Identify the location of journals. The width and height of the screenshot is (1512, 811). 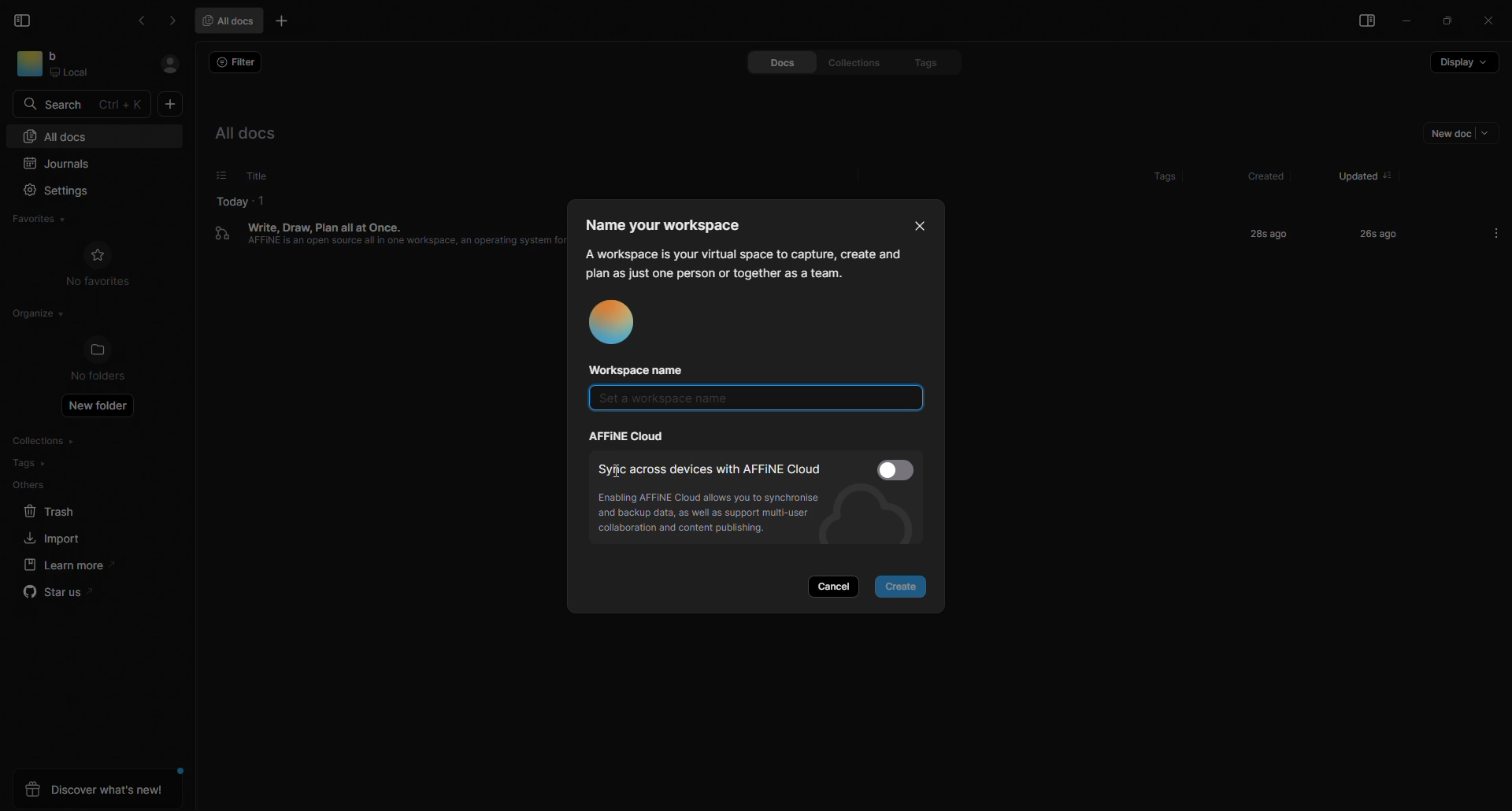
(66, 161).